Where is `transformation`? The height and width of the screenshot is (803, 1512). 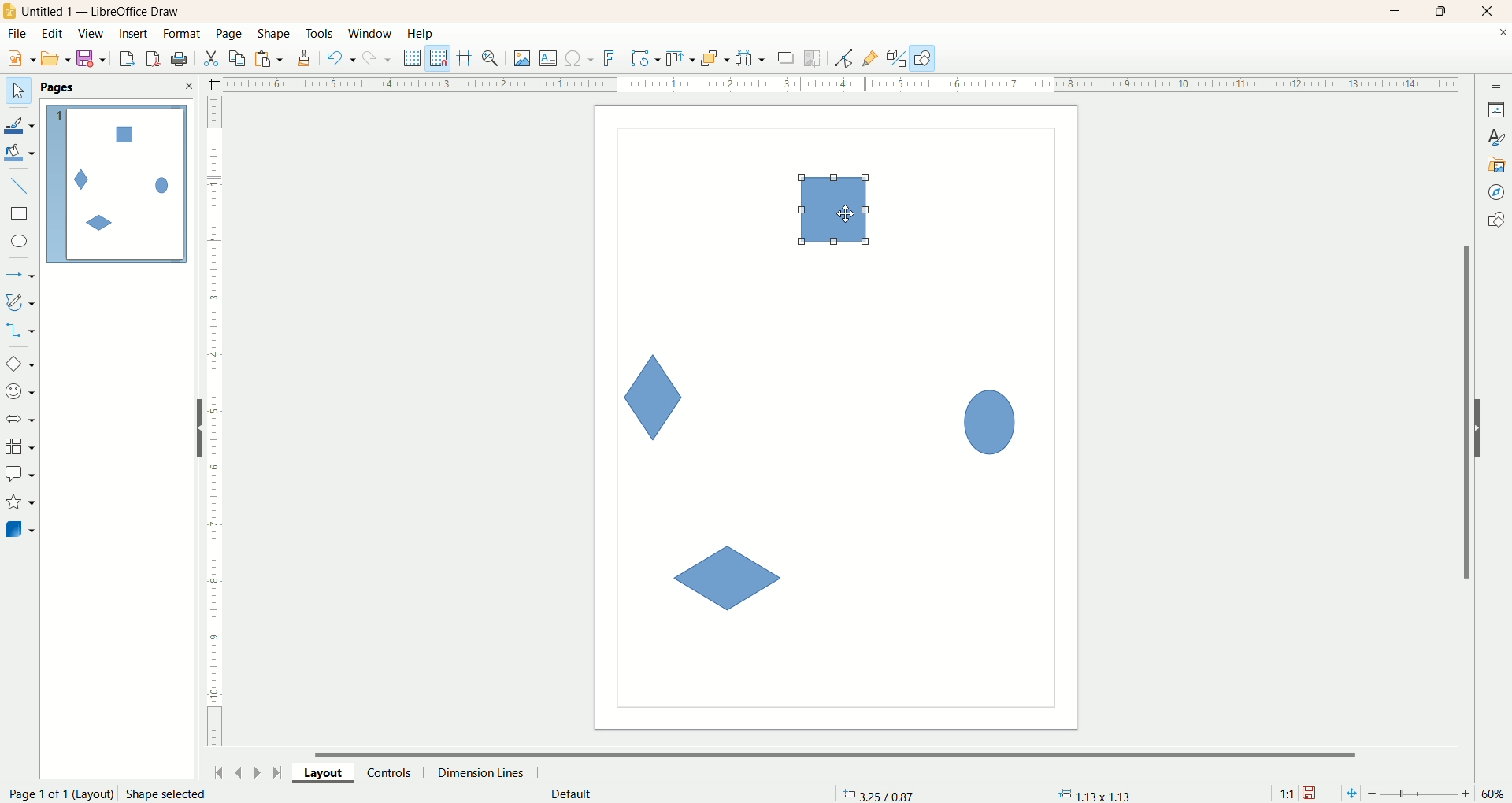 transformation is located at coordinates (646, 59).